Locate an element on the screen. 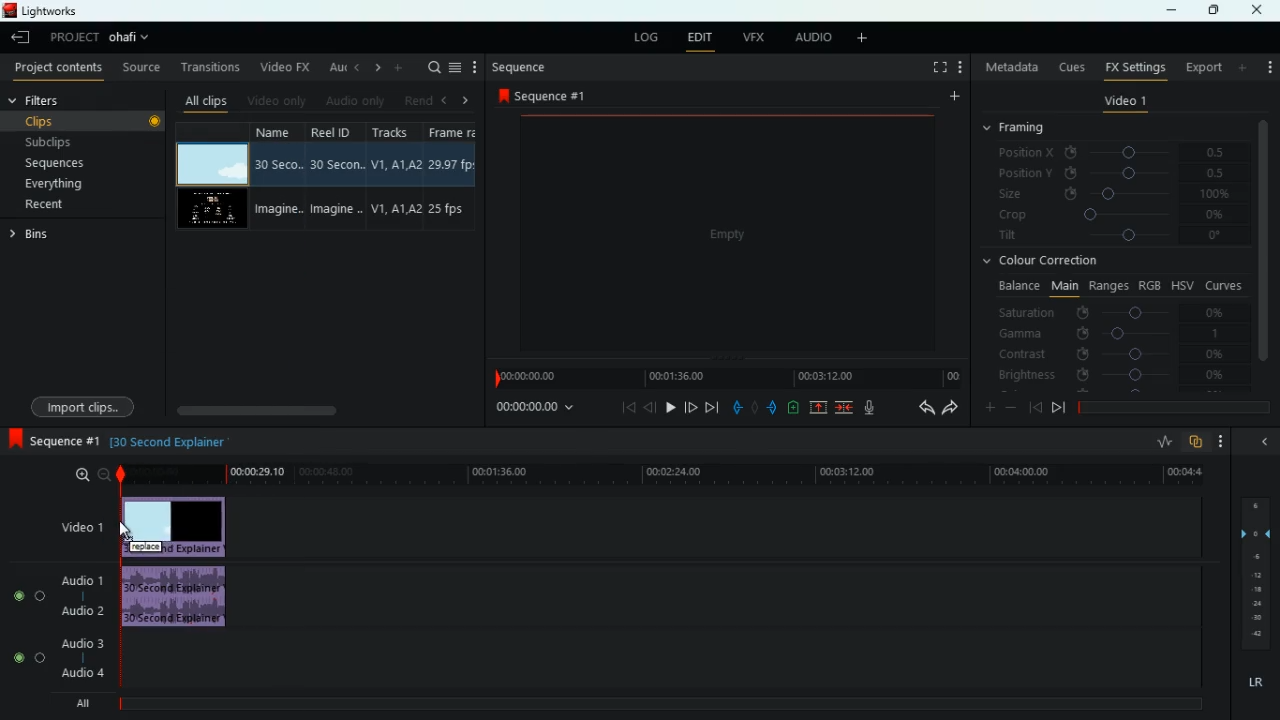  time is located at coordinates (538, 409).